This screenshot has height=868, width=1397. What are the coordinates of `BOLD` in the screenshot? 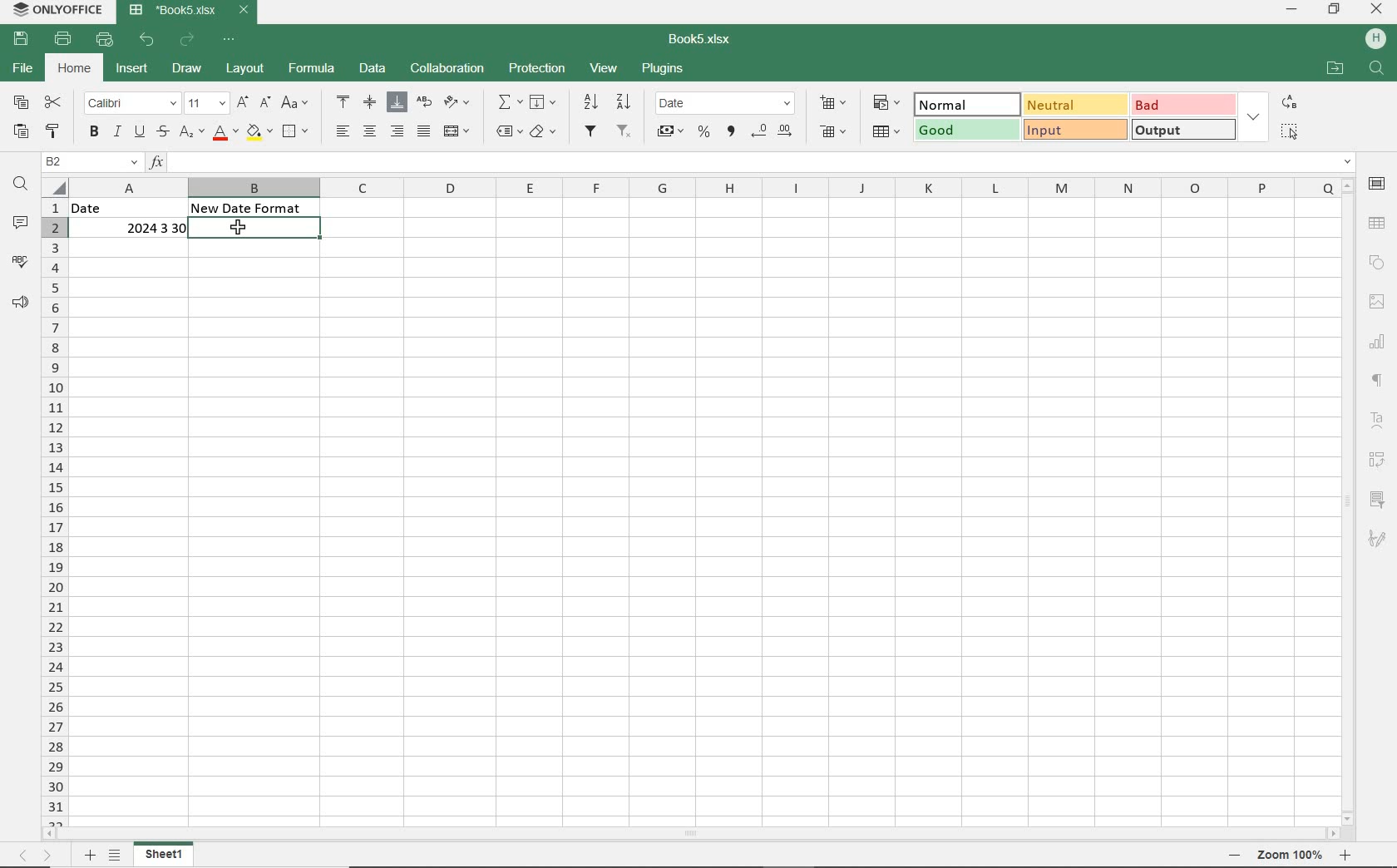 It's located at (95, 132).